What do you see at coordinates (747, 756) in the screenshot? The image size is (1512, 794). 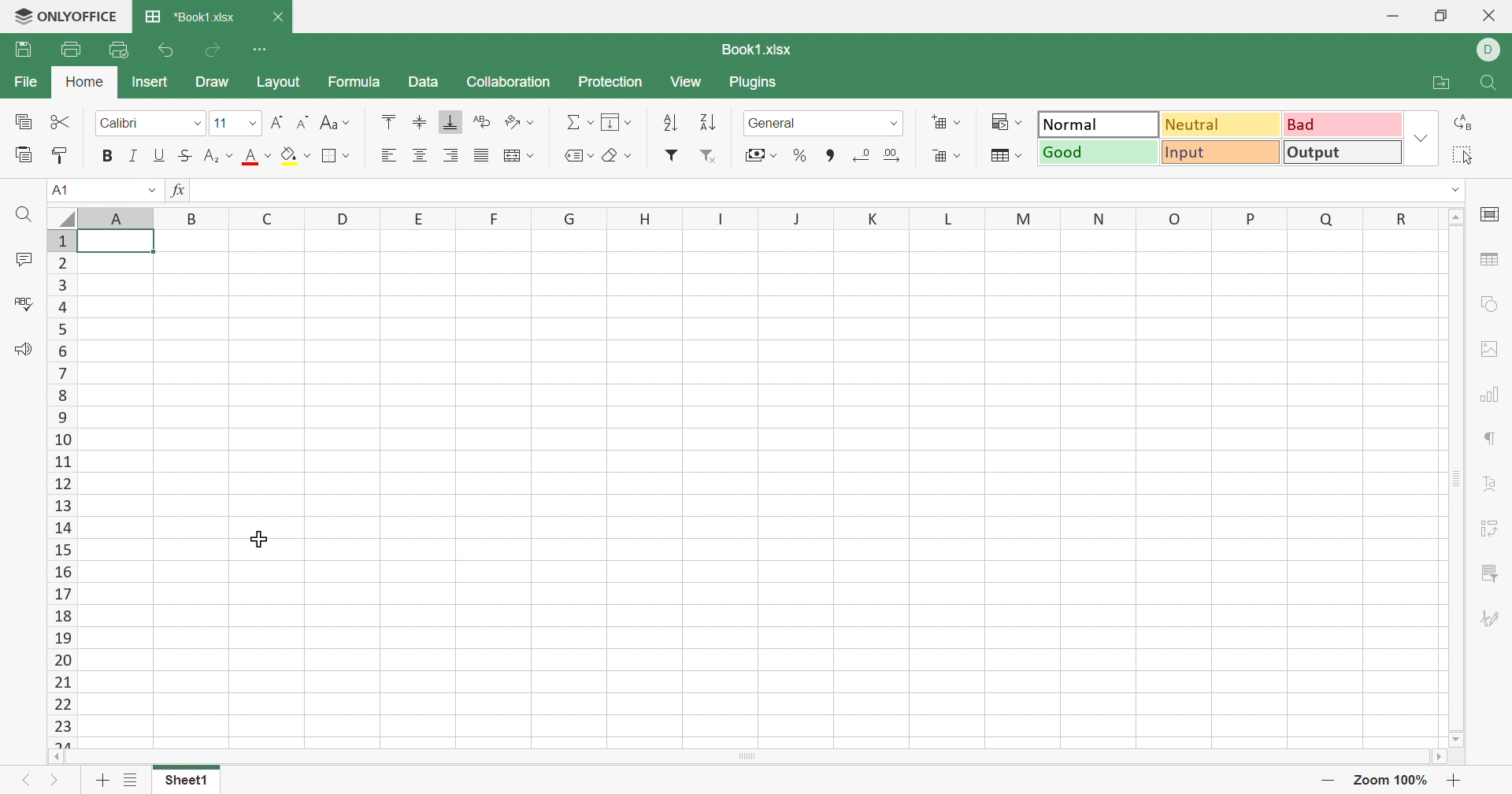 I see `Scroll Bar` at bounding box center [747, 756].